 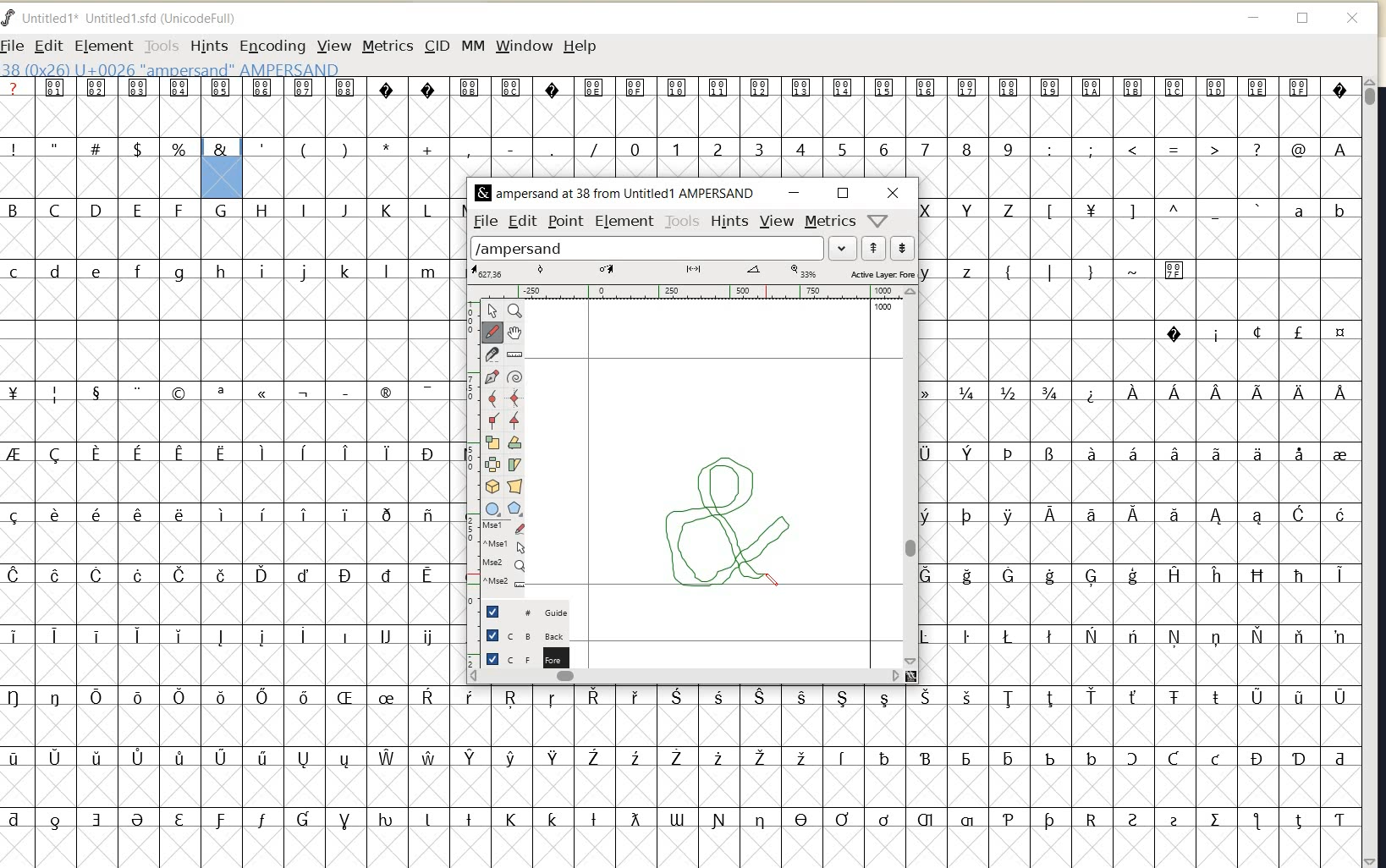 What do you see at coordinates (844, 194) in the screenshot?
I see `RESTORE` at bounding box center [844, 194].